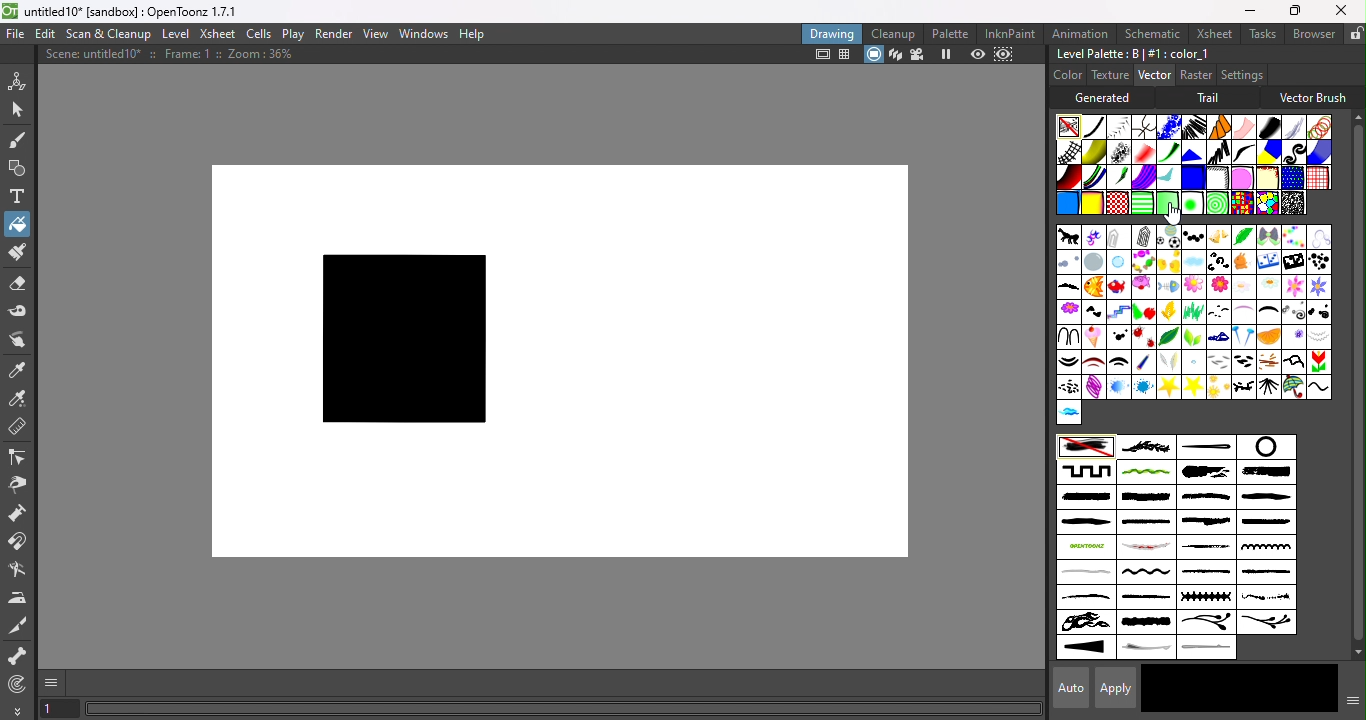  I want to click on Hatched shading, so click(1216, 178).